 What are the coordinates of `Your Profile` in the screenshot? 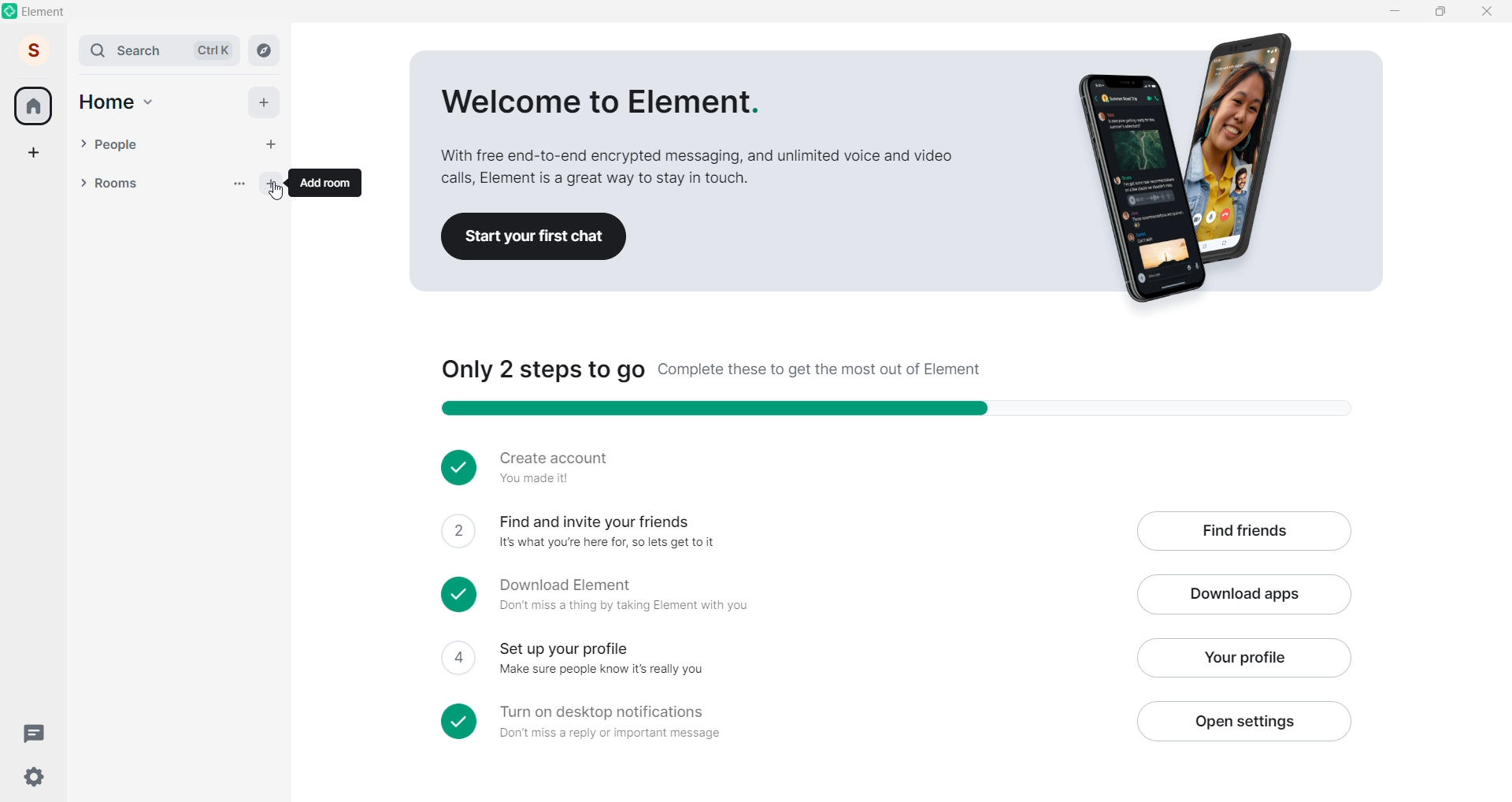 It's located at (1242, 658).